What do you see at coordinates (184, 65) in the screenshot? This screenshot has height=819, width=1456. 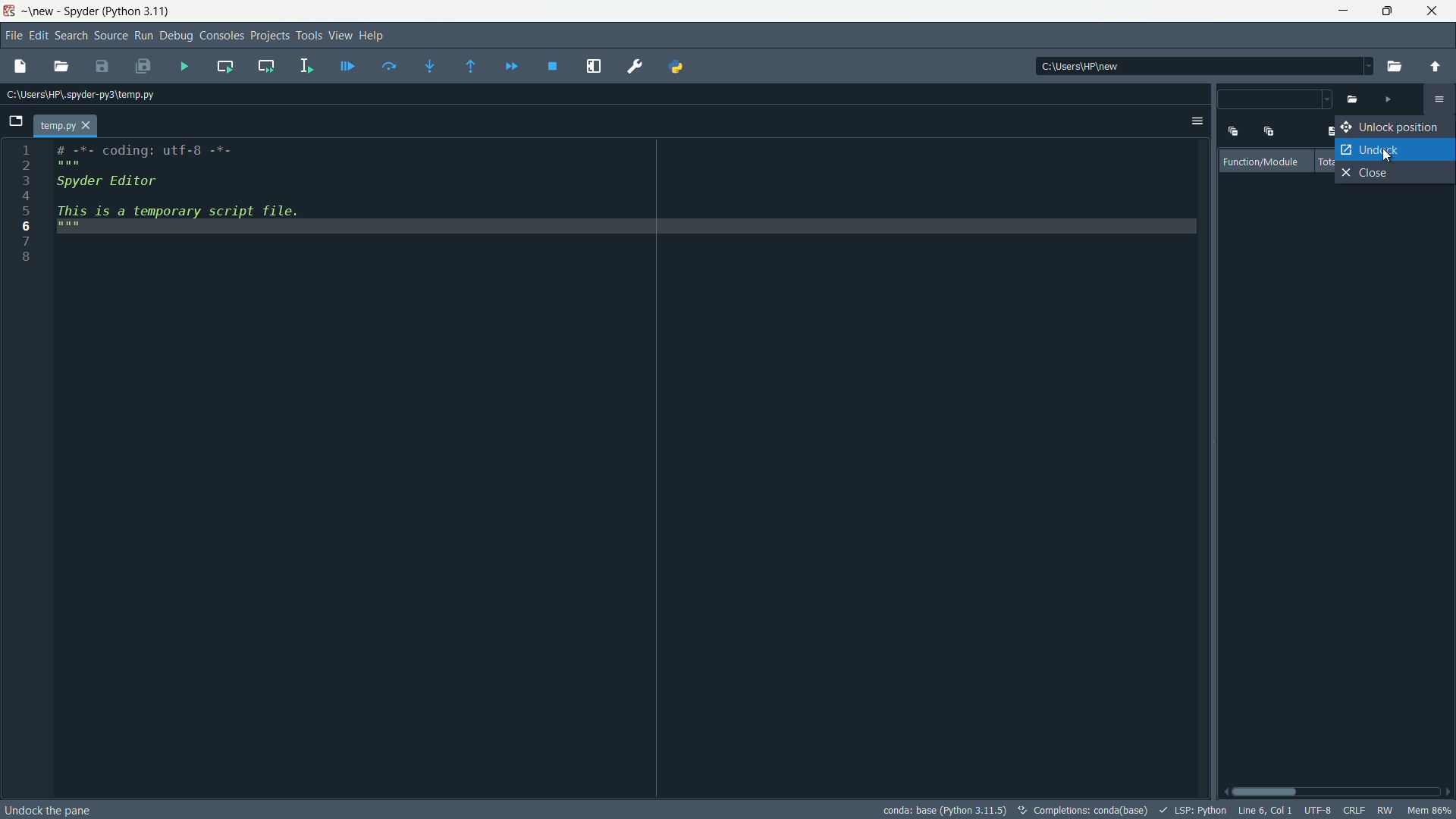 I see `run file` at bounding box center [184, 65].